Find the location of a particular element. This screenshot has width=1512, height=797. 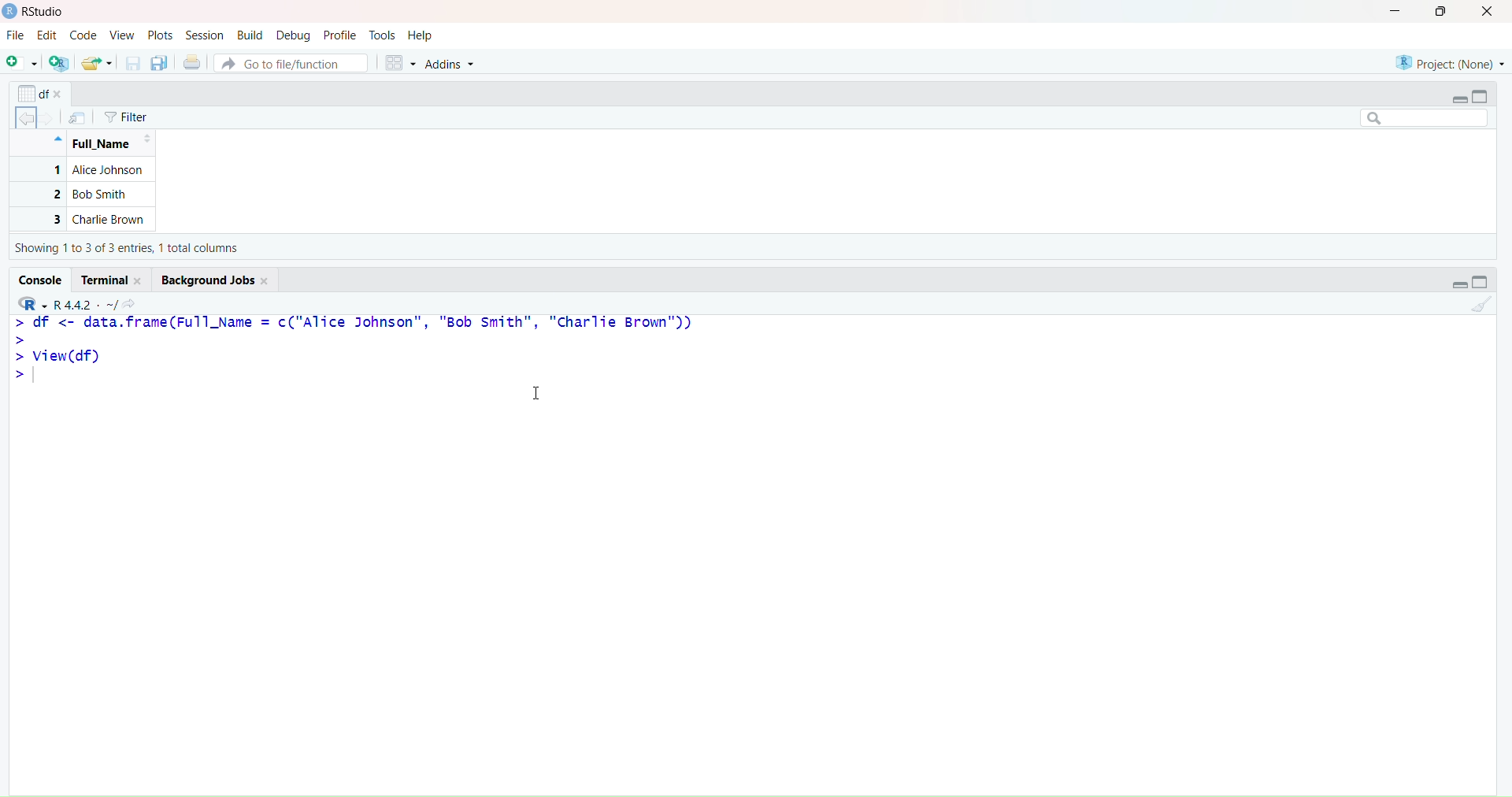

Print the current file is located at coordinates (191, 63).